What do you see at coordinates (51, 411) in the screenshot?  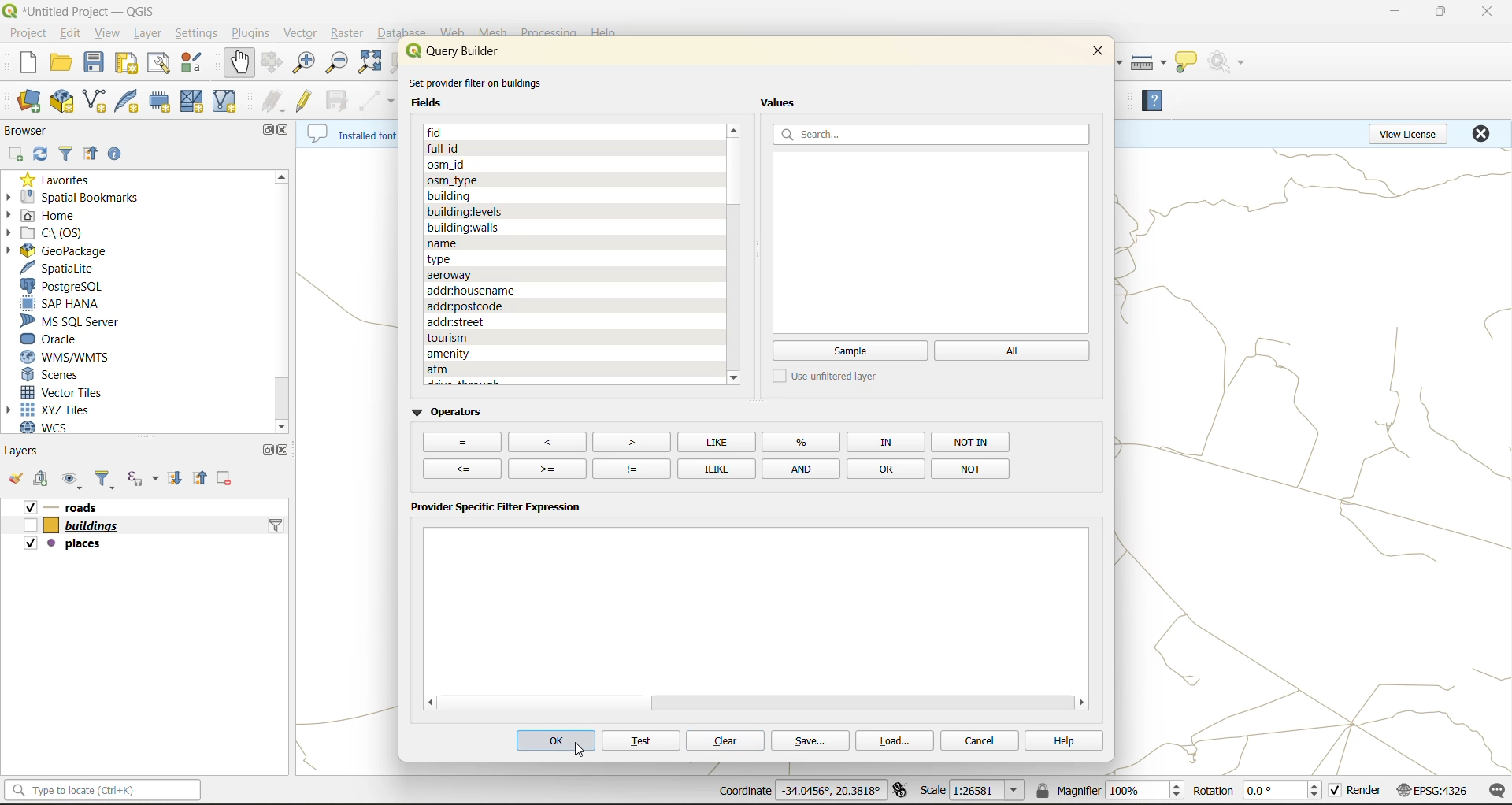 I see `xyz tiles` at bounding box center [51, 411].